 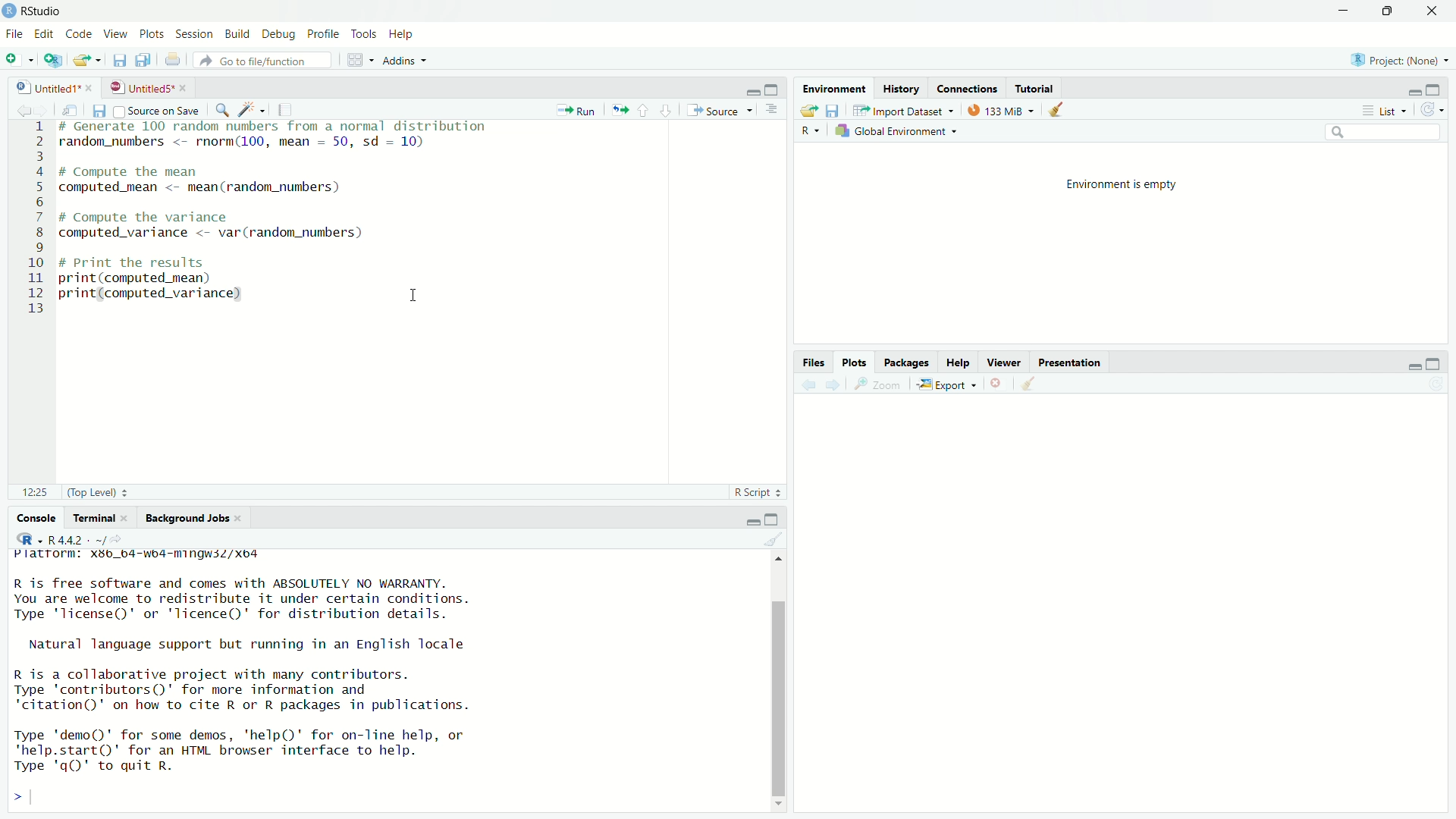 What do you see at coordinates (908, 362) in the screenshot?
I see `packages` at bounding box center [908, 362].